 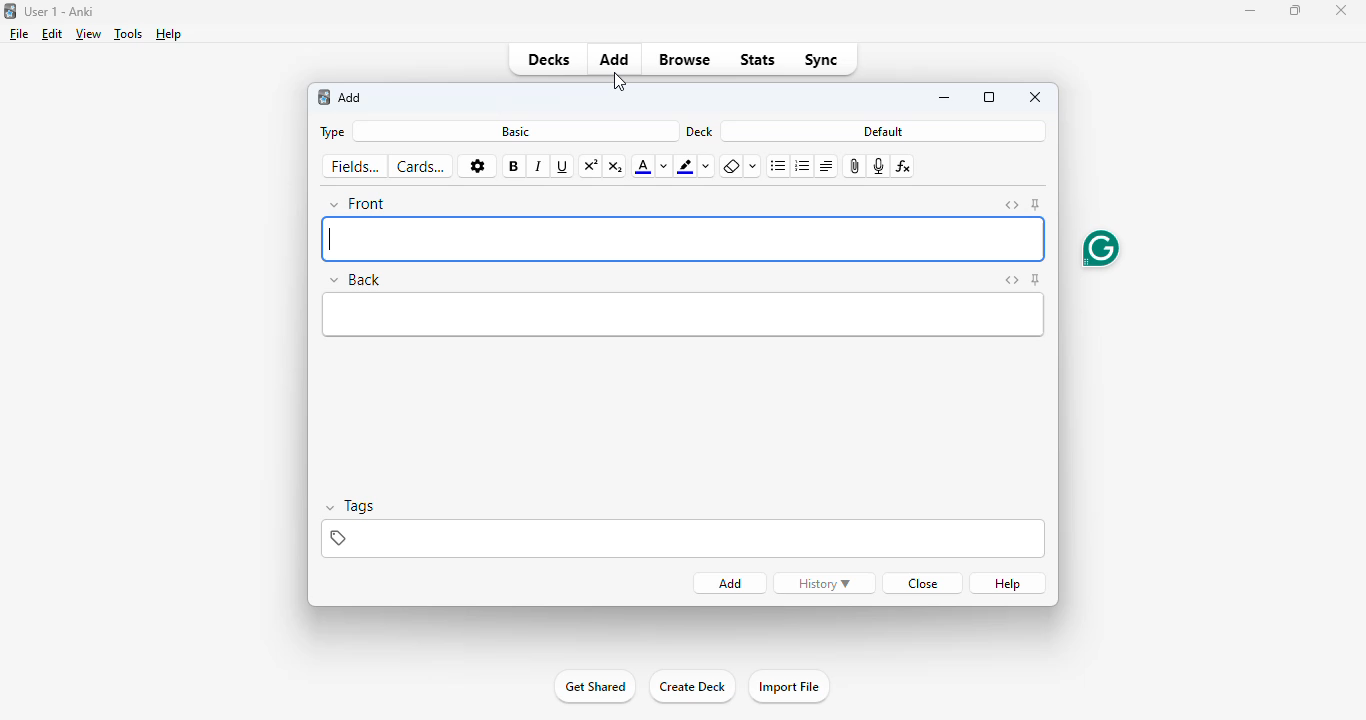 What do you see at coordinates (824, 583) in the screenshot?
I see `history` at bounding box center [824, 583].